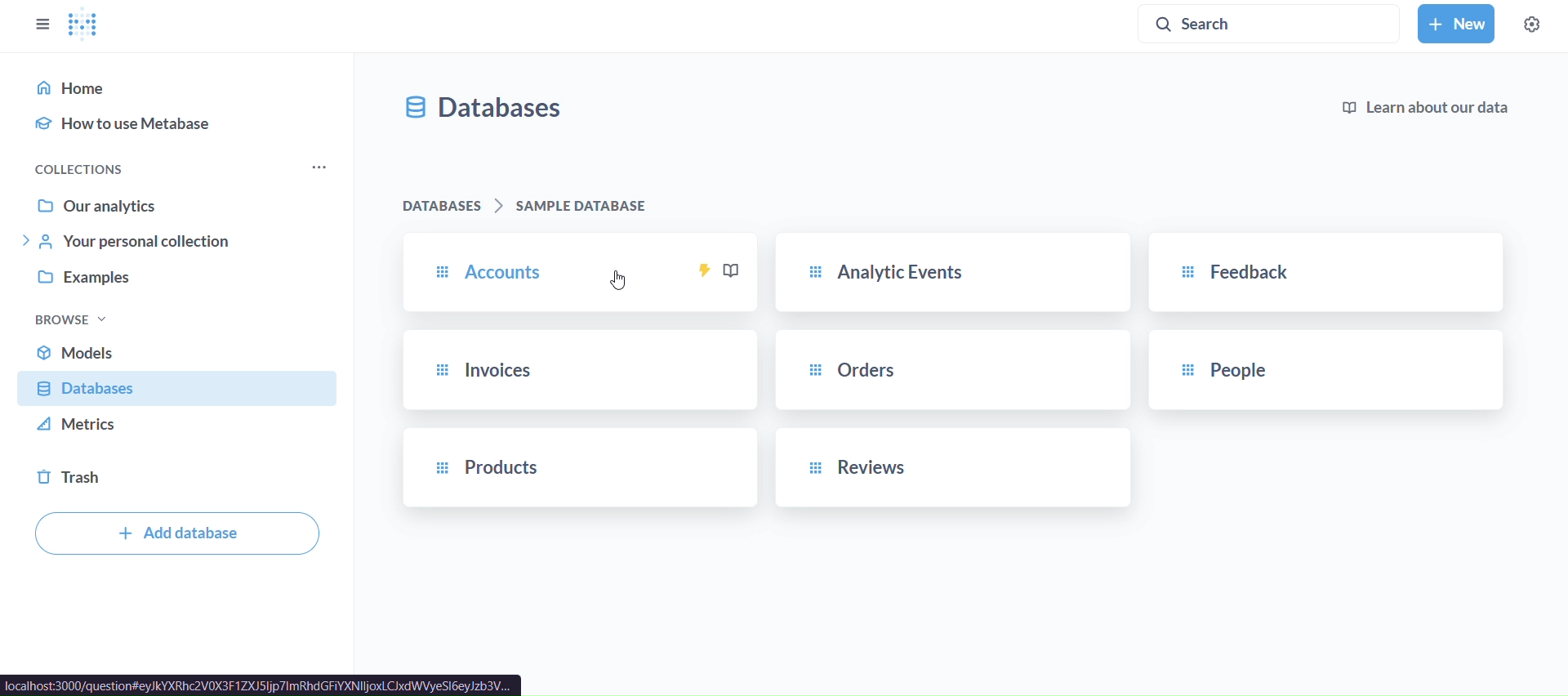 The width and height of the screenshot is (1568, 696). I want to click on close sidebar, so click(44, 25).